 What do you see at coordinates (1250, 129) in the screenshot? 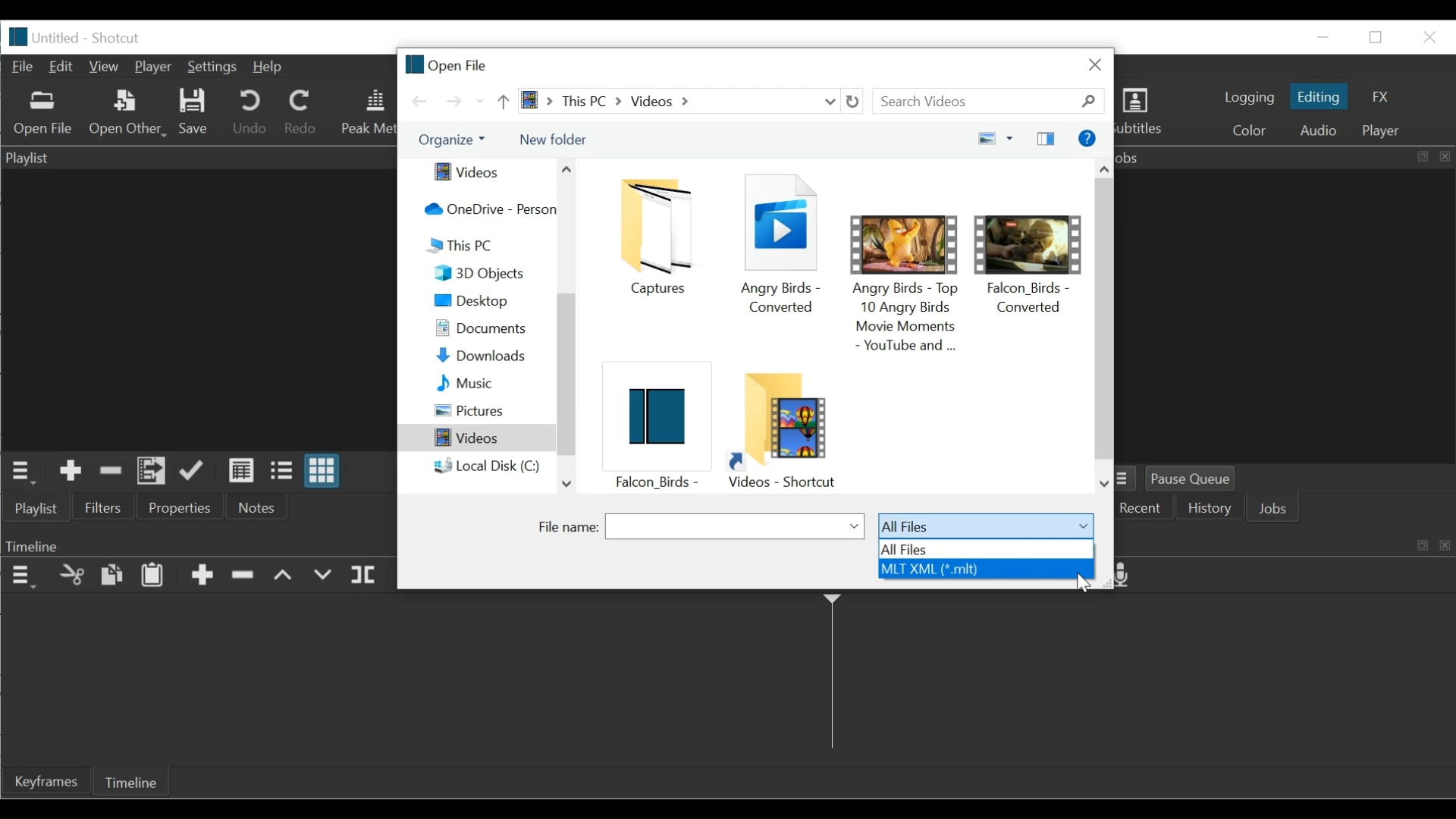
I see `Colr` at bounding box center [1250, 129].